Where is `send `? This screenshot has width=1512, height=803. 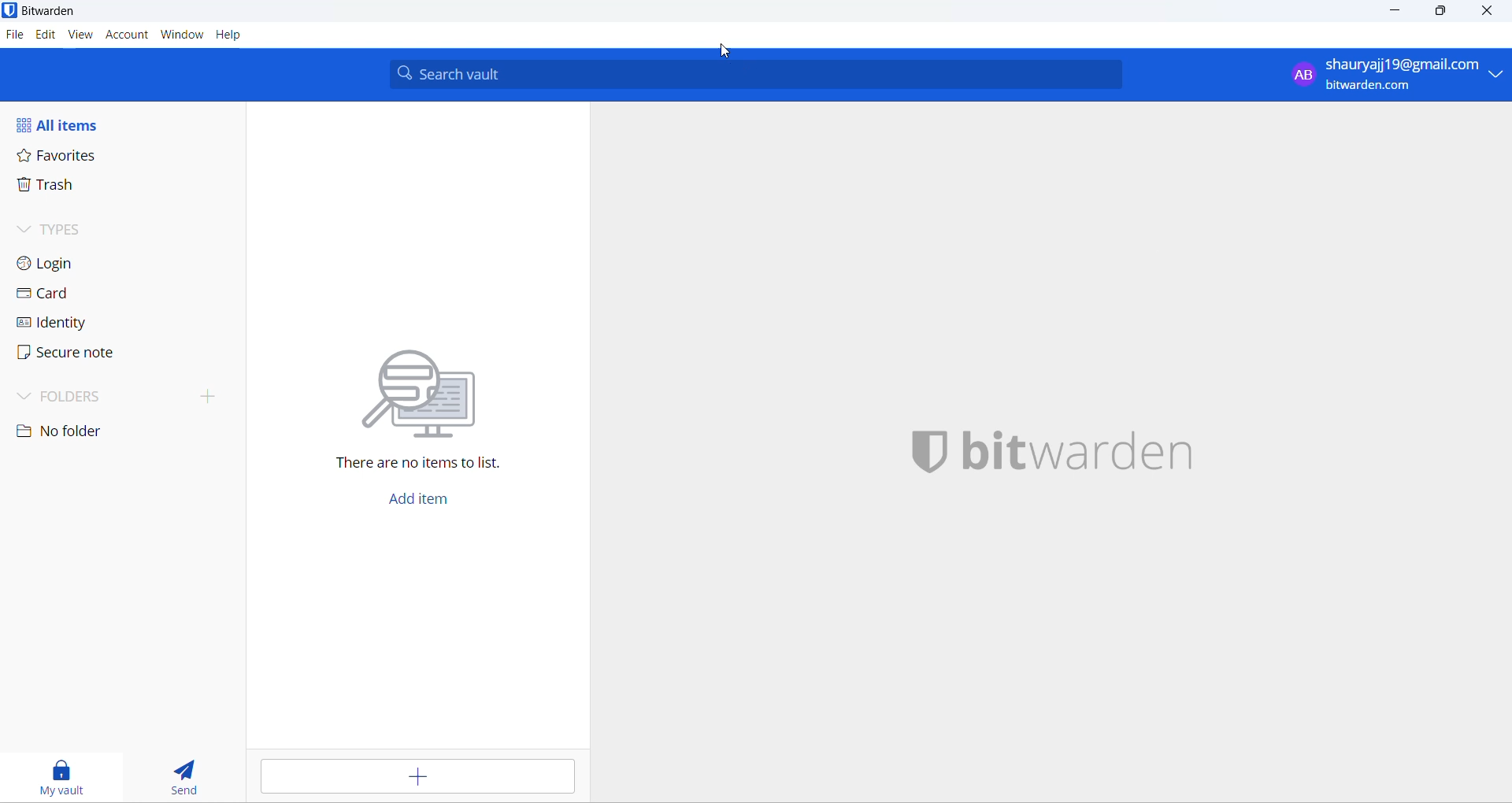 send  is located at coordinates (185, 776).